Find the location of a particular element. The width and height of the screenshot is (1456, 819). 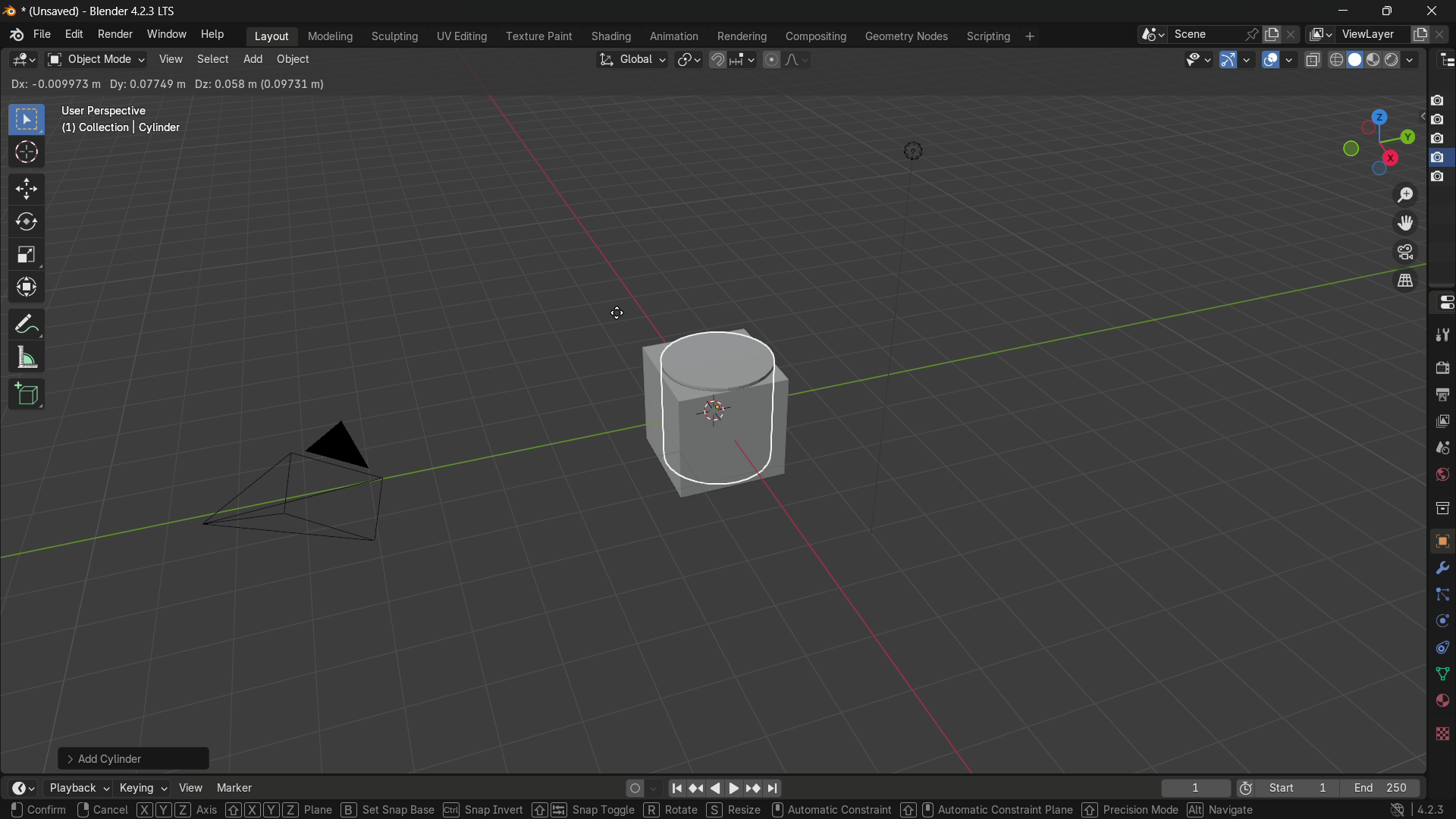

view layer is located at coordinates (1318, 34).